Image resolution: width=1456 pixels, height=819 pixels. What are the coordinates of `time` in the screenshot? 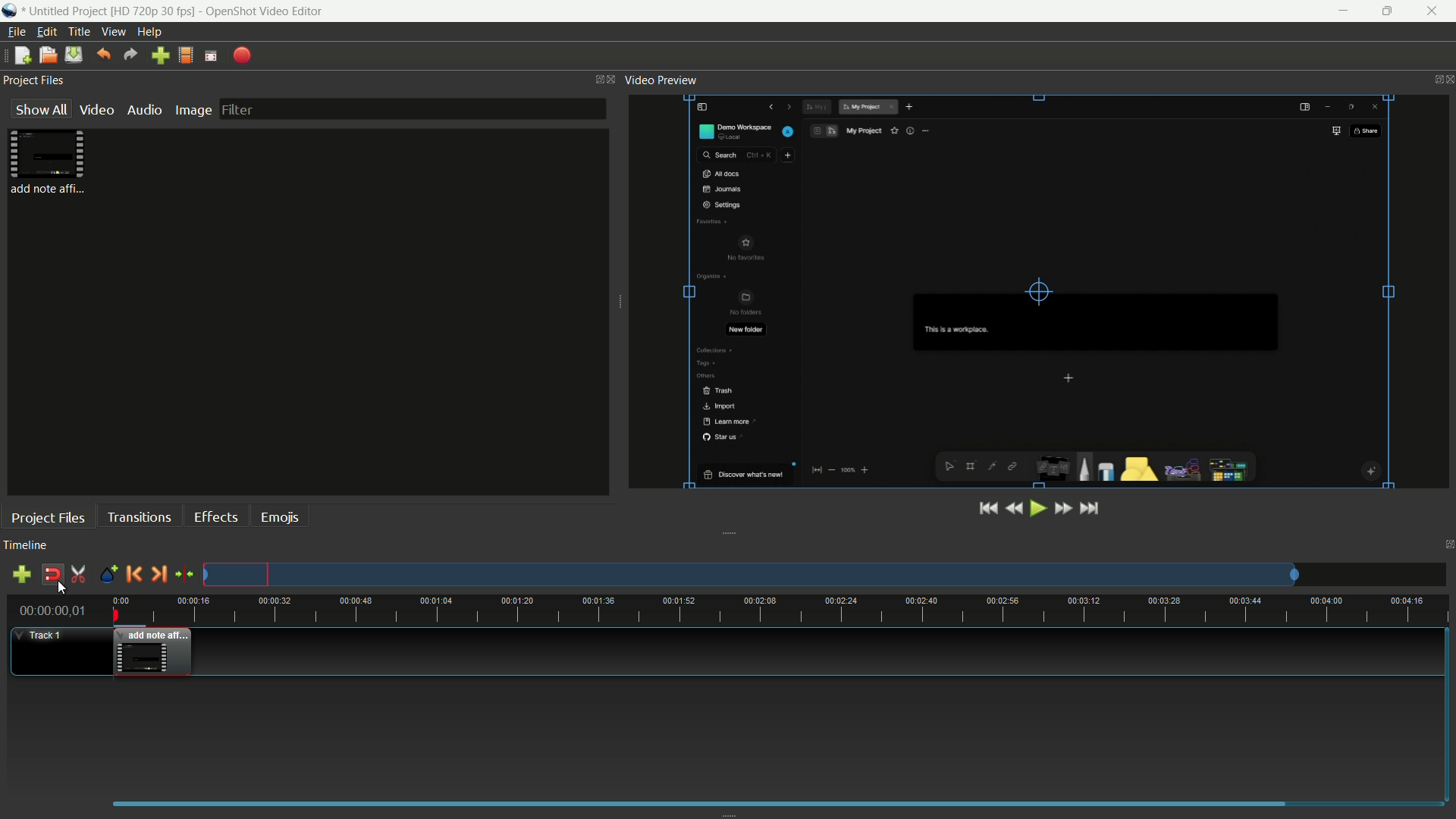 It's located at (780, 610).